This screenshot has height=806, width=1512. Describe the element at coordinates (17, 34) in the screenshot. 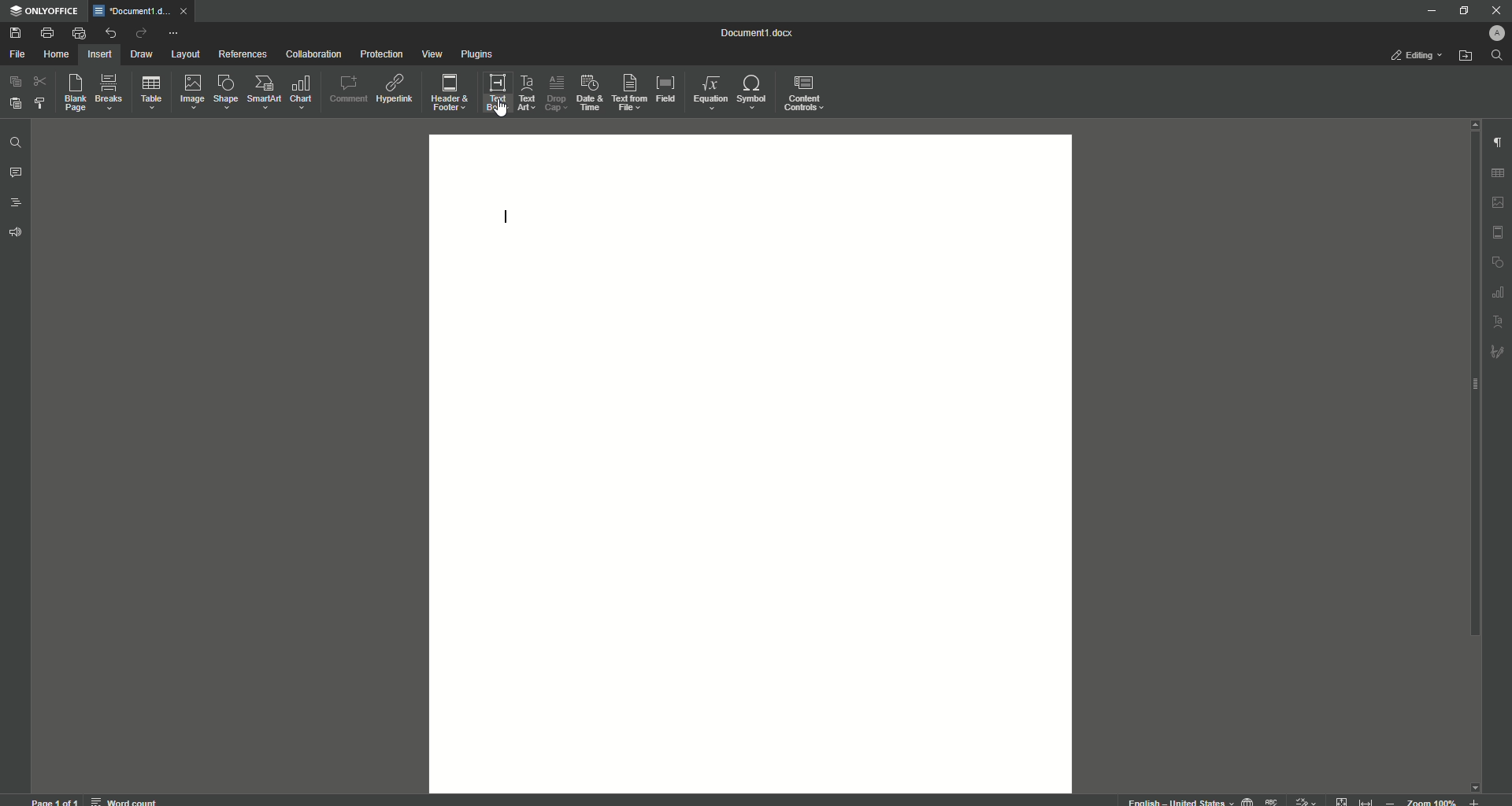

I see `Save` at that location.